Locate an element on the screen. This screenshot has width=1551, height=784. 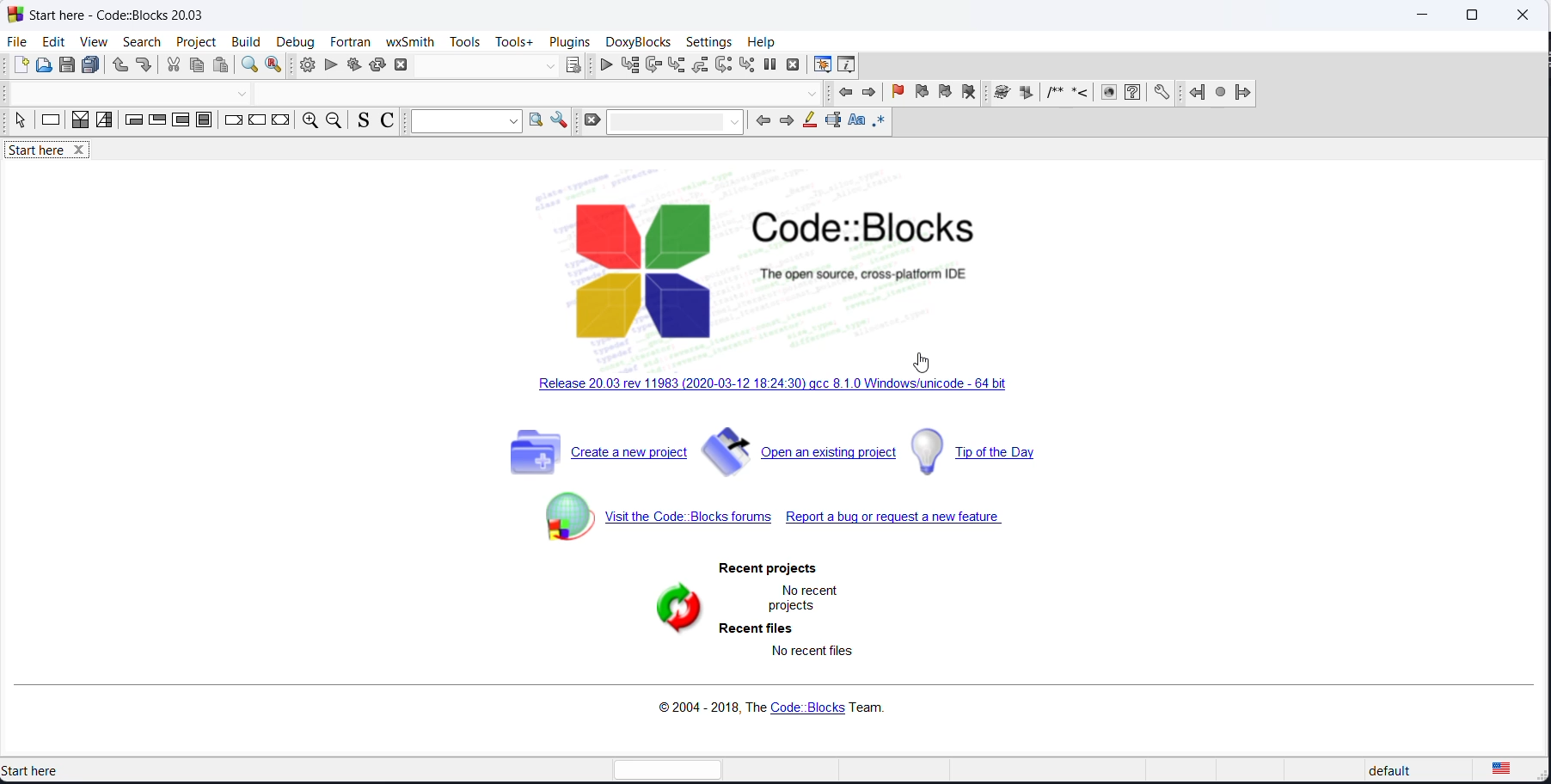
regex is located at coordinates (880, 121).